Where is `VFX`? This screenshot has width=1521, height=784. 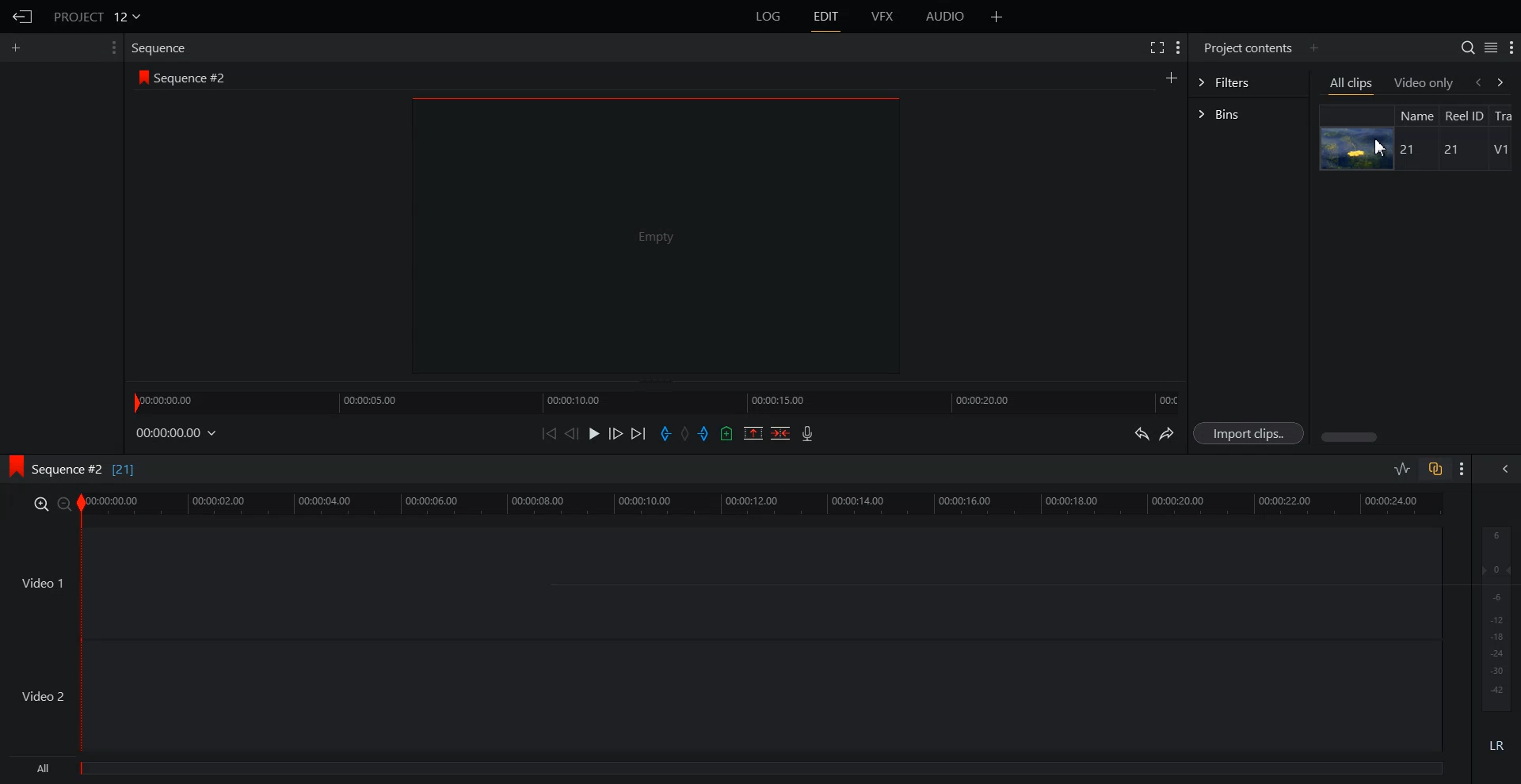
VFX is located at coordinates (883, 17).